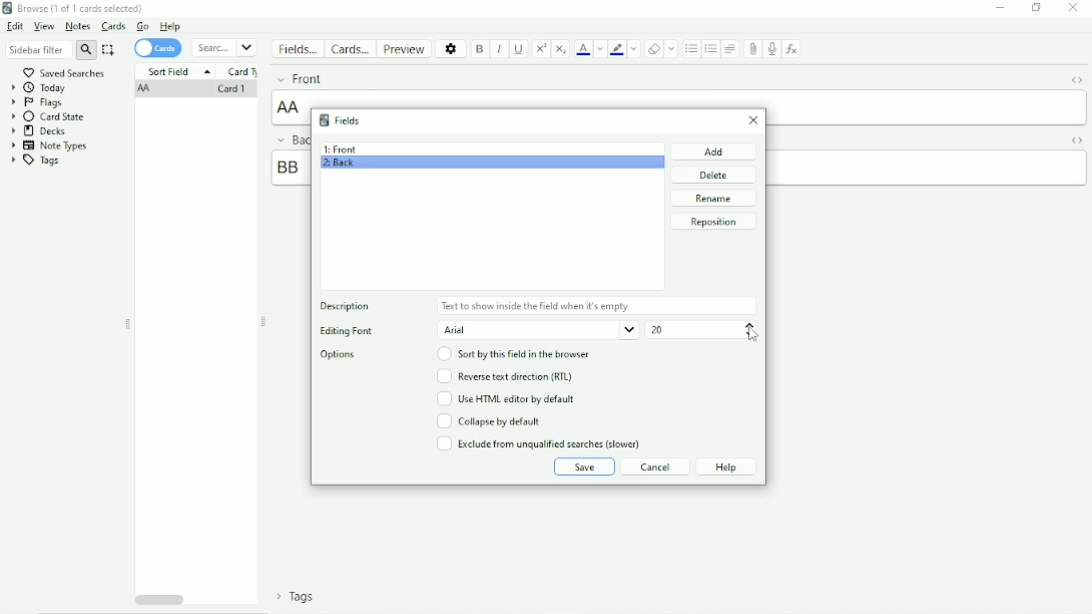 This screenshot has width=1092, height=614. I want to click on Help, so click(170, 26).